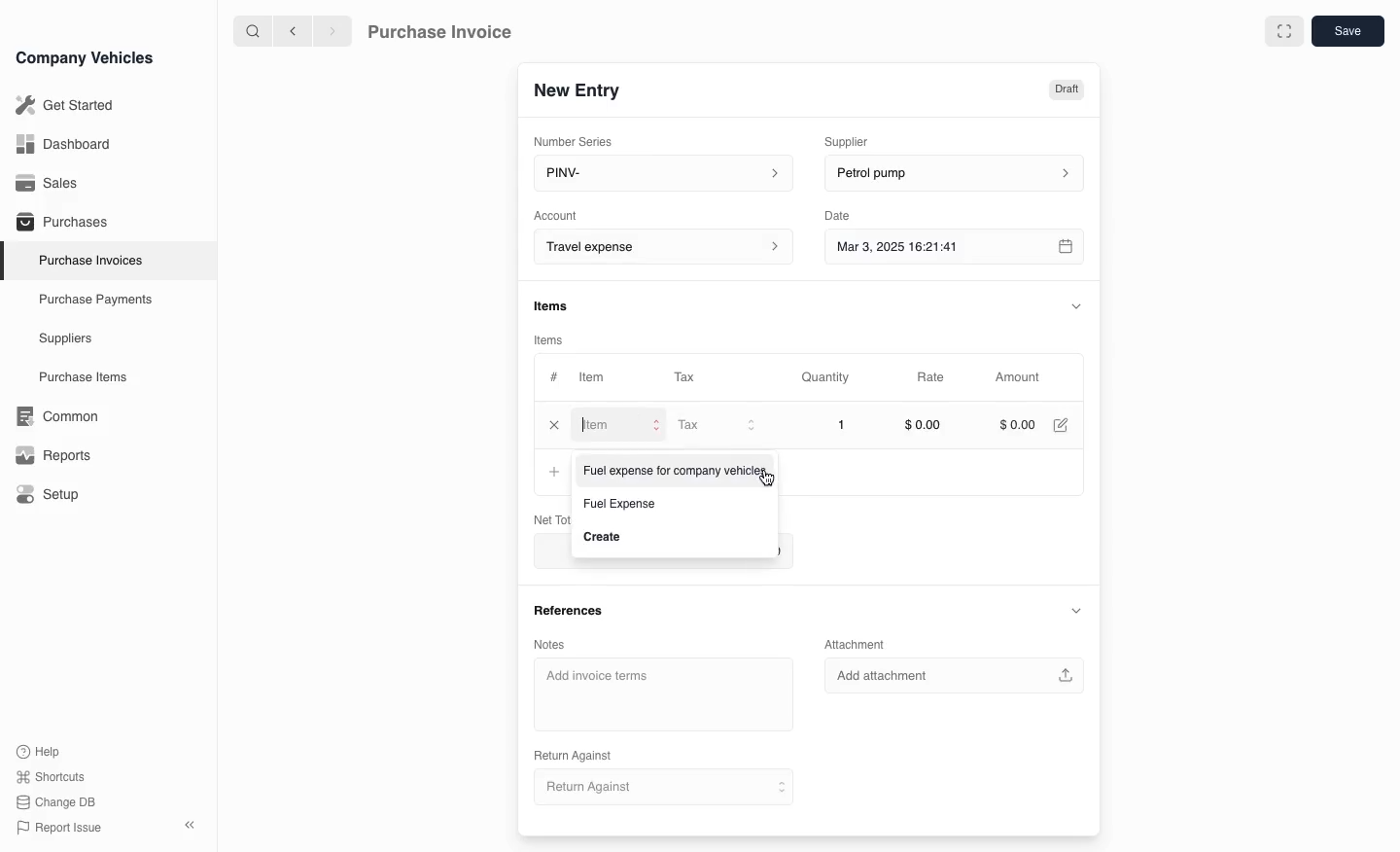 The width and height of the screenshot is (1400, 852). What do you see at coordinates (1017, 426) in the screenshot?
I see `$000` at bounding box center [1017, 426].